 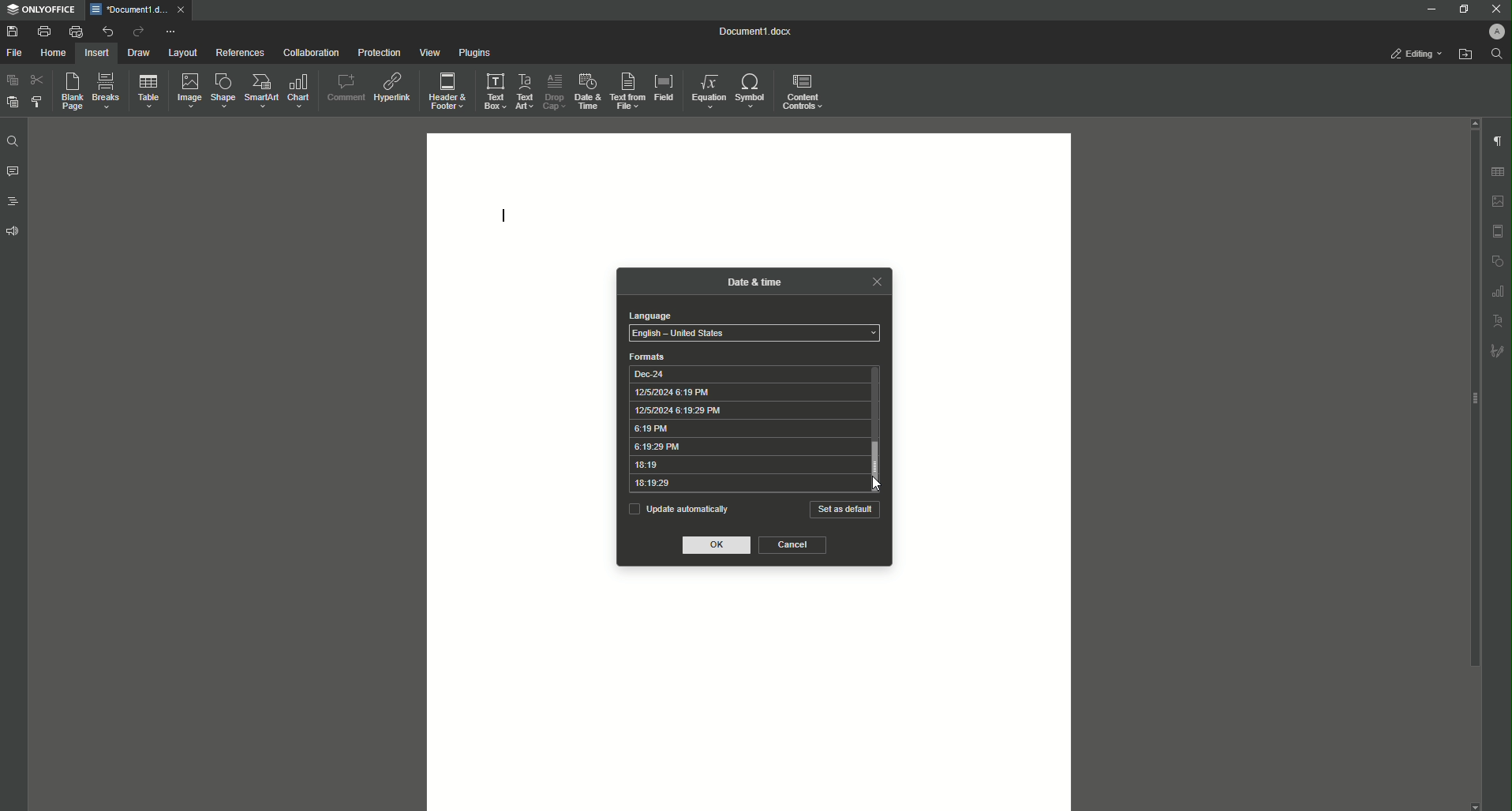 I want to click on Drop Cap, so click(x=553, y=90).